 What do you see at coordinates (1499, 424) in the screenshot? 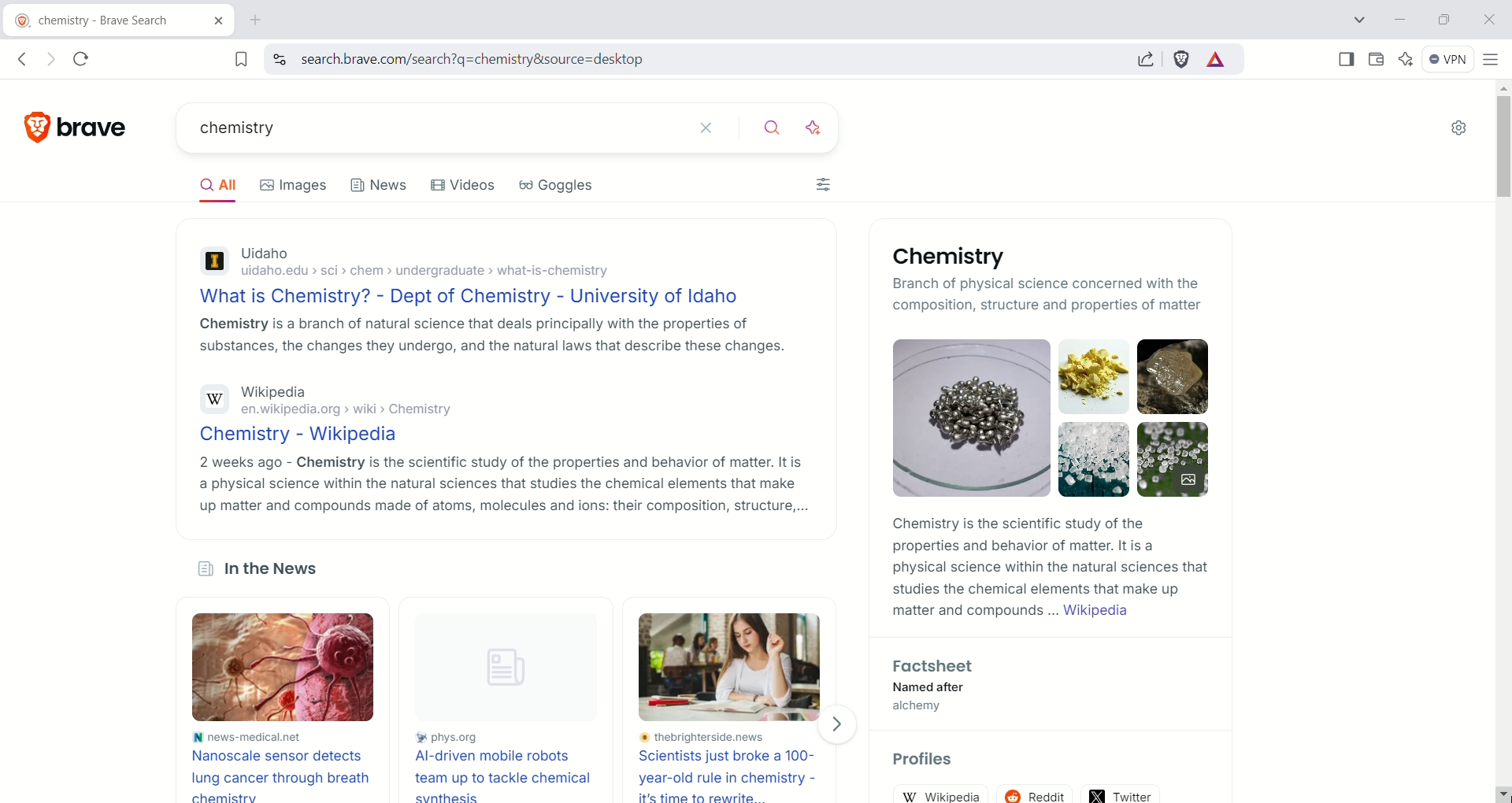
I see `vertical scroll bar` at bounding box center [1499, 424].